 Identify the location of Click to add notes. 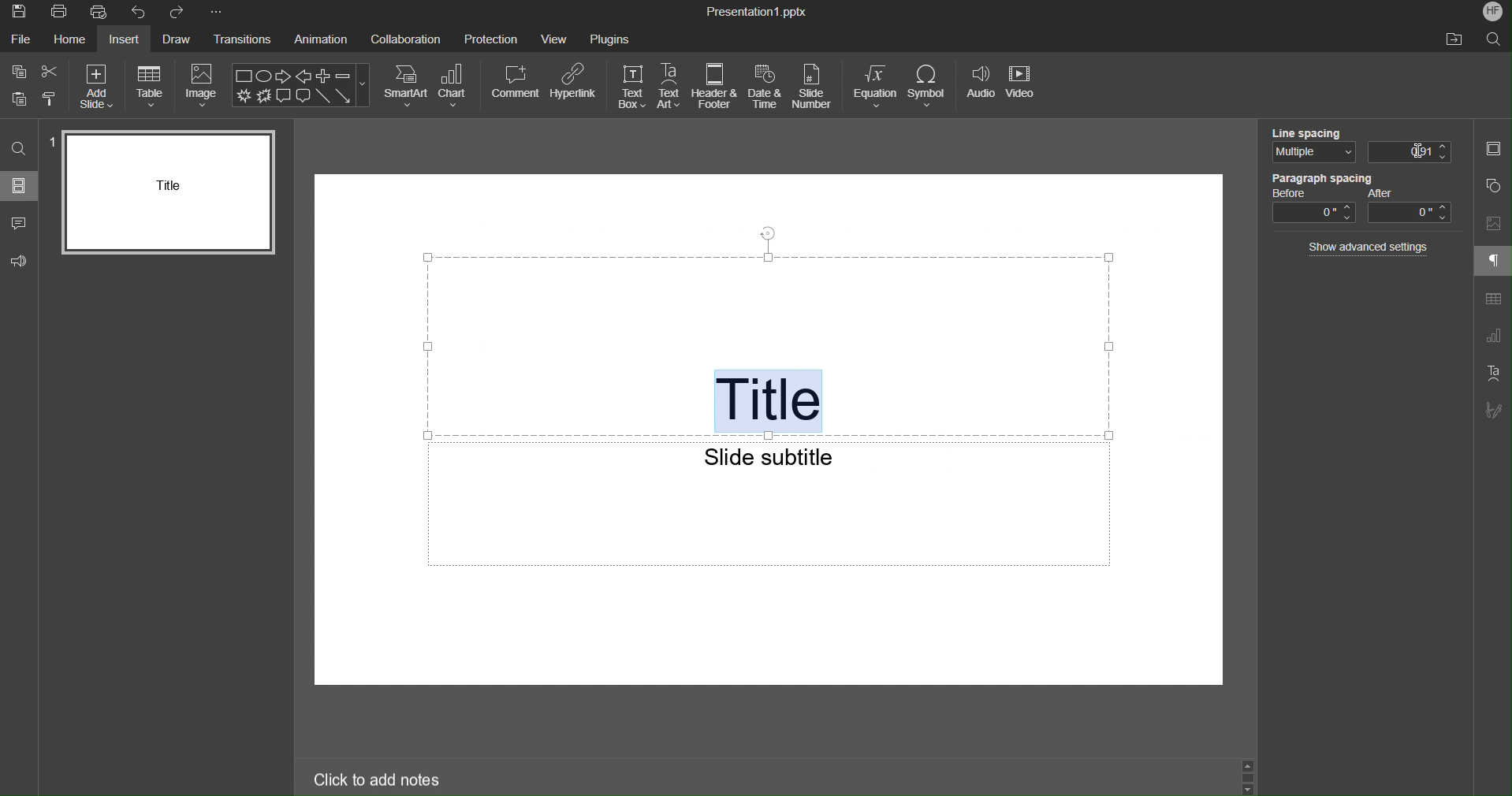
(378, 778).